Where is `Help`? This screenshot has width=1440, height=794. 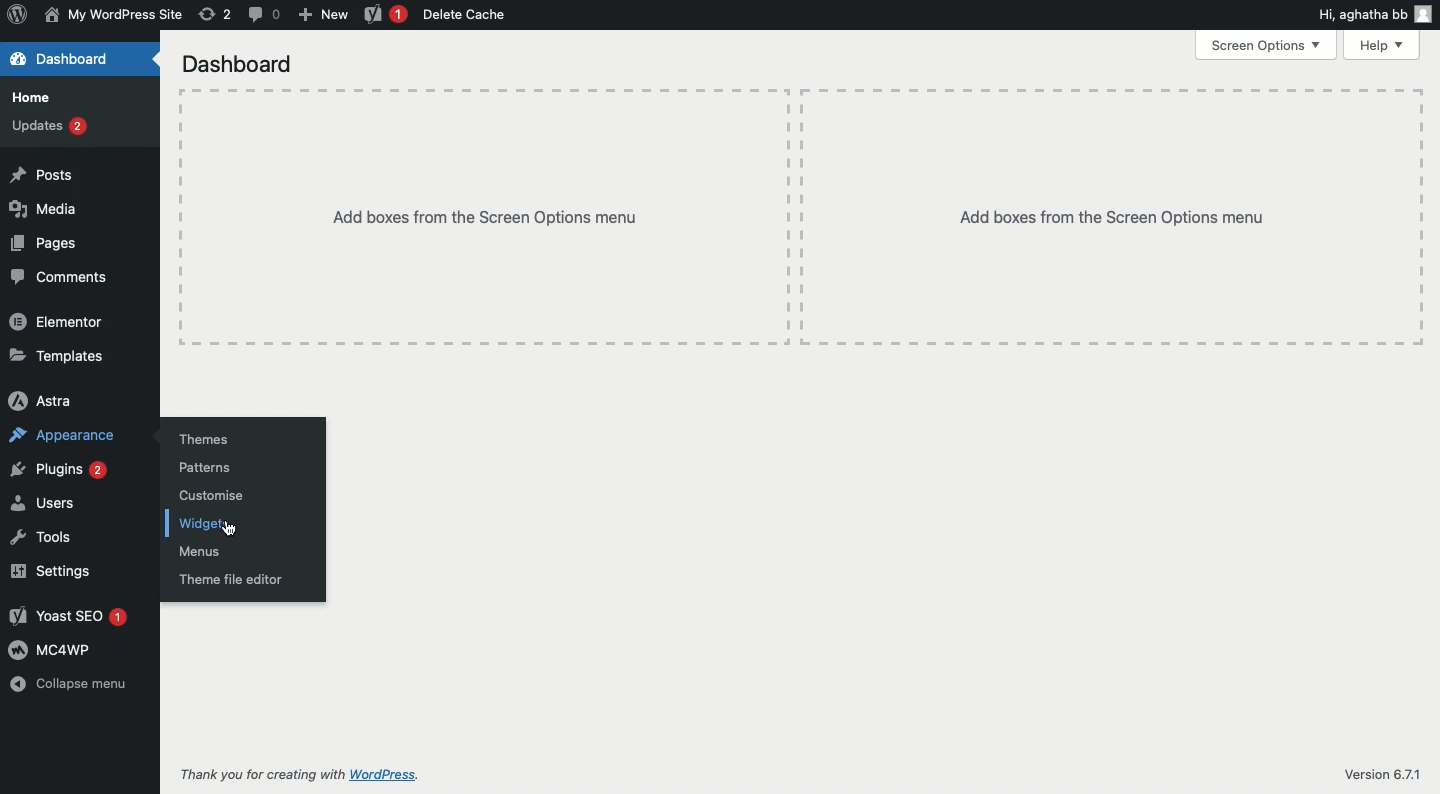
Help is located at coordinates (1383, 45).